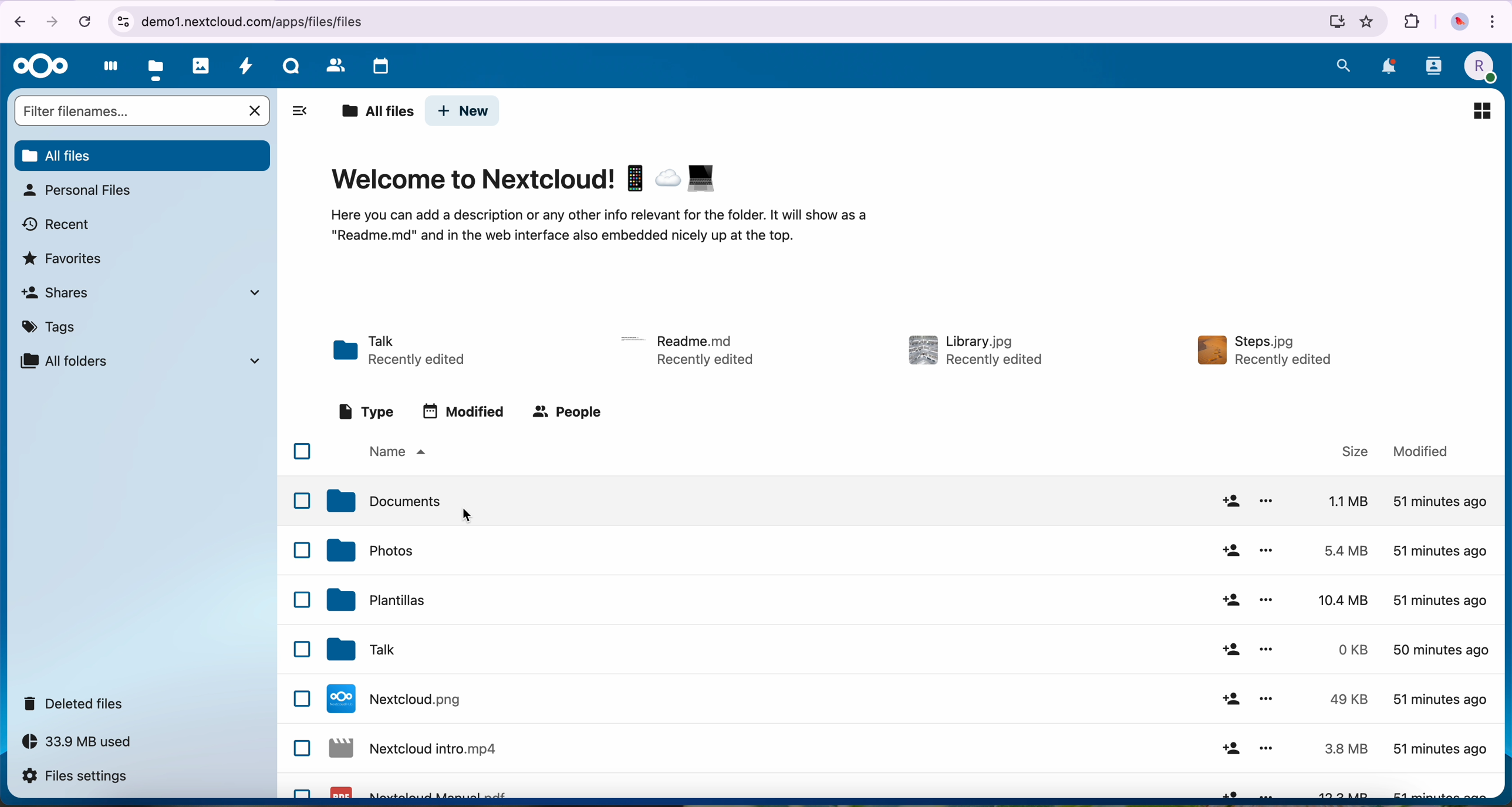 This screenshot has width=1512, height=807. What do you see at coordinates (201, 66) in the screenshot?
I see `photos` at bounding box center [201, 66].